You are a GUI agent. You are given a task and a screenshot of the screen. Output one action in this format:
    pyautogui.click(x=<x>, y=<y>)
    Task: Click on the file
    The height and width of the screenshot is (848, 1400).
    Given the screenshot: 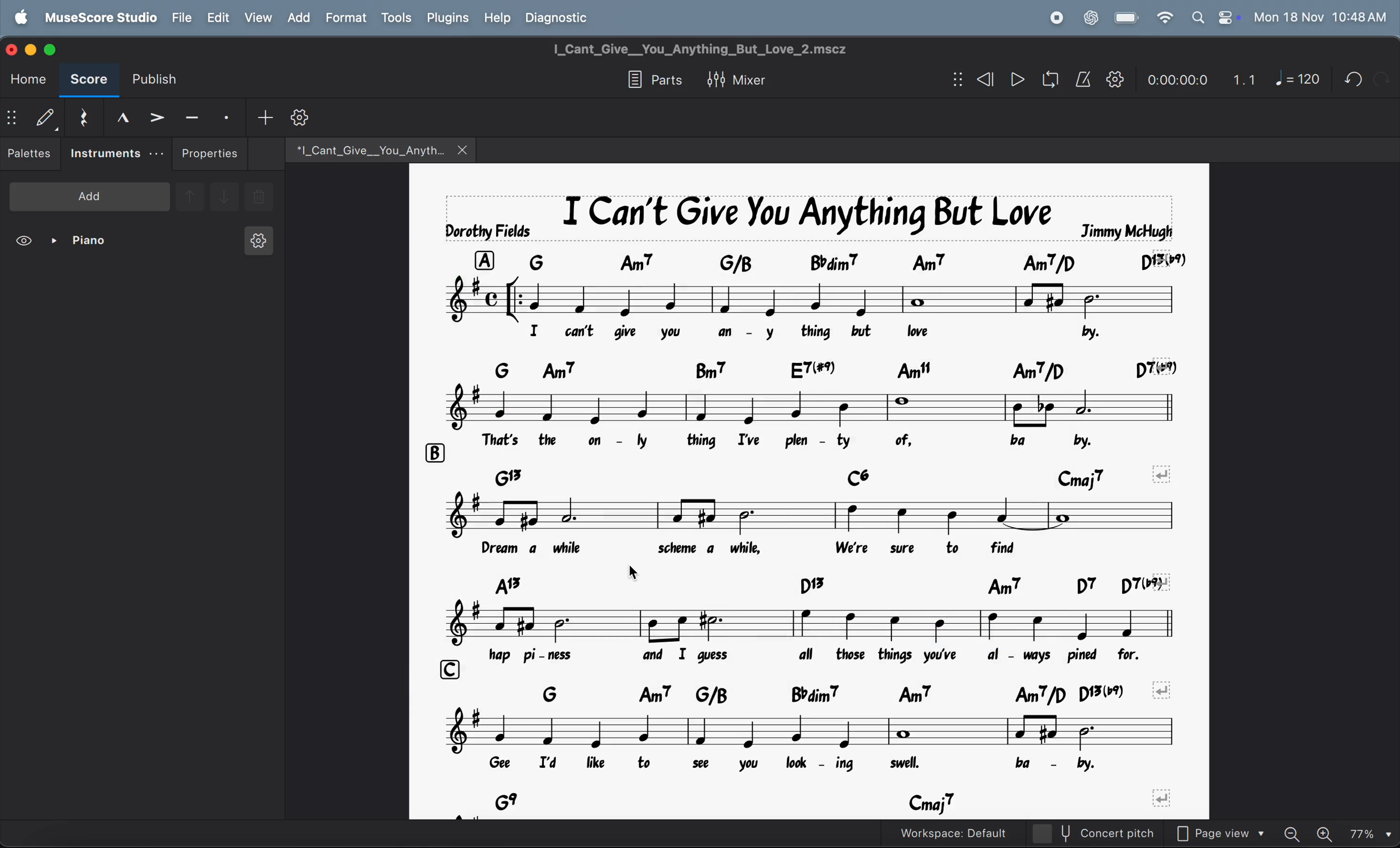 What is the action you would take?
    pyautogui.click(x=182, y=17)
    